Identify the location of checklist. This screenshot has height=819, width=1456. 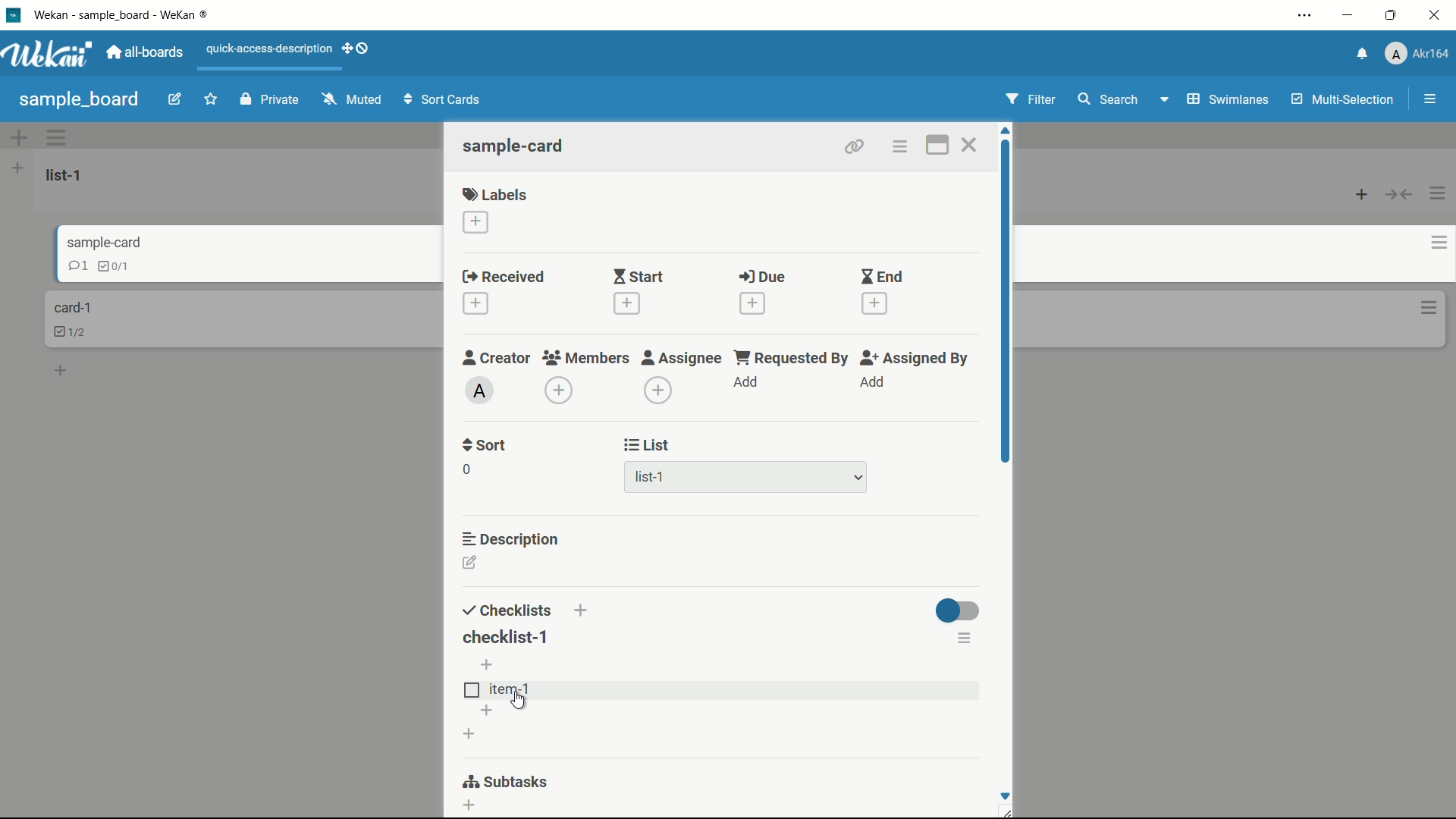
(74, 331).